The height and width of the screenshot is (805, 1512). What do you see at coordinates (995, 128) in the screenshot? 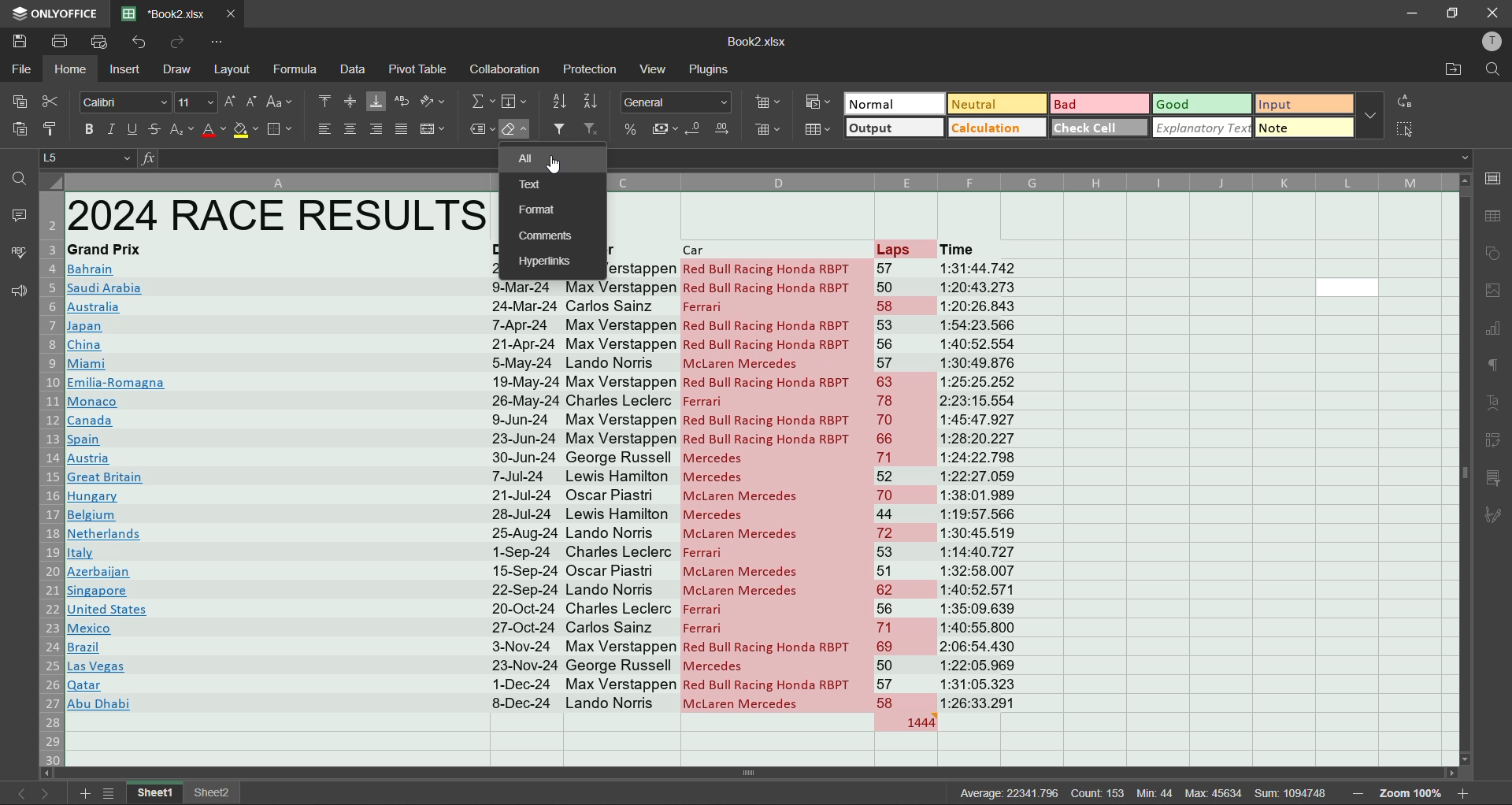
I see `calculation` at bounding box center [995, 128].